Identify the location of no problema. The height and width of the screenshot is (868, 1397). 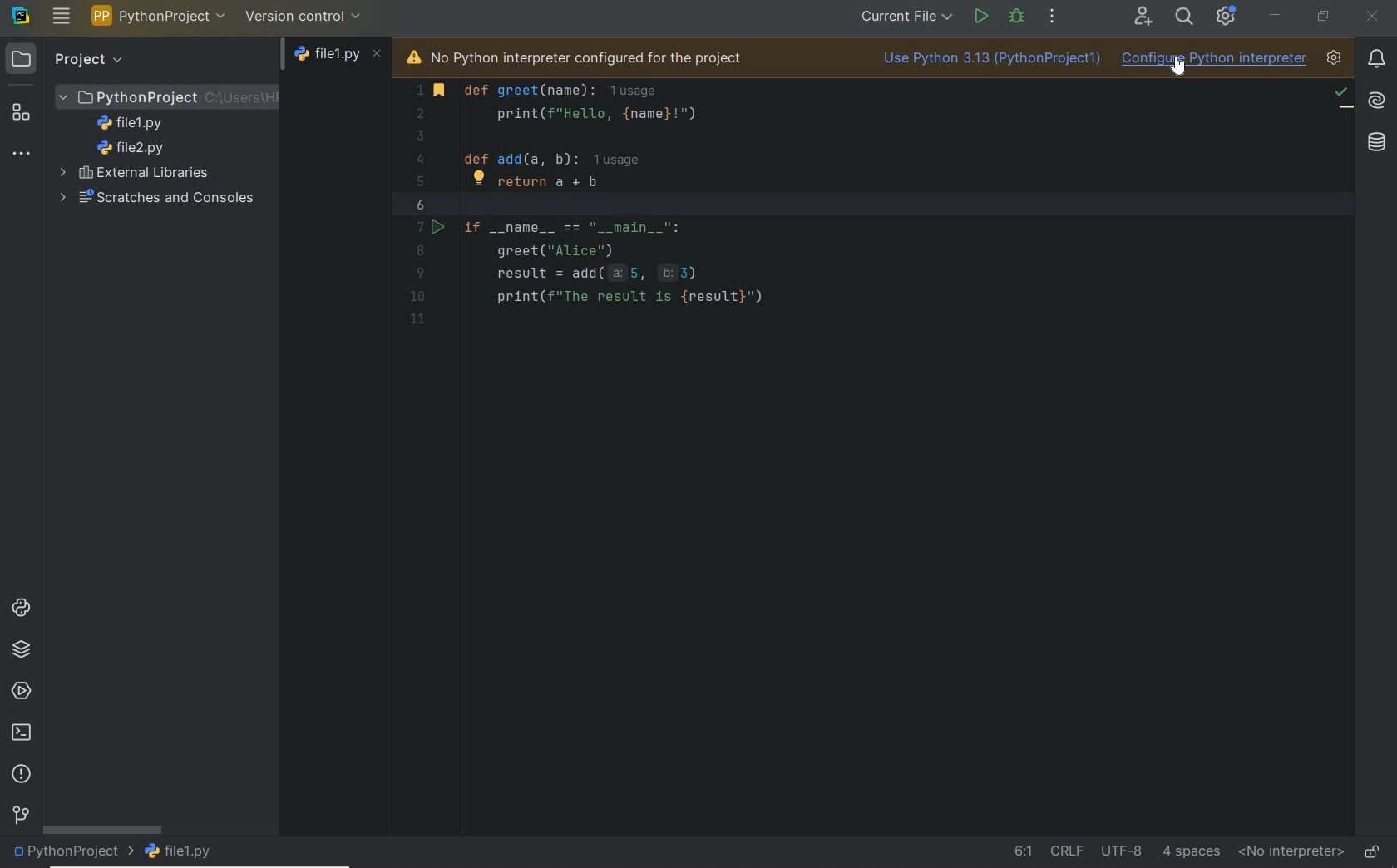
(1342, 96).